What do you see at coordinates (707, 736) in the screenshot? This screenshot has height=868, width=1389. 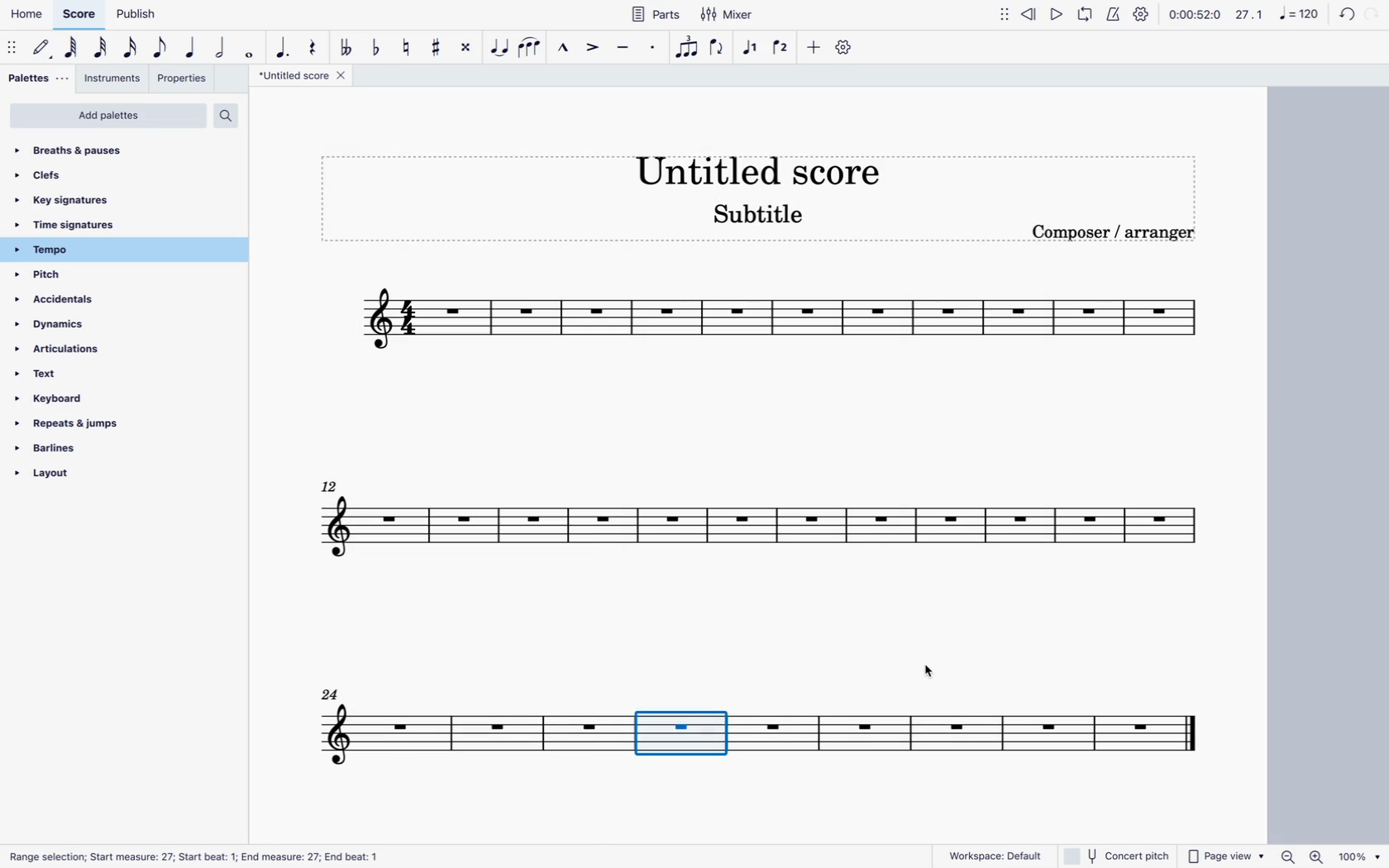 I see `cursor` at bounding box center [707, 736].